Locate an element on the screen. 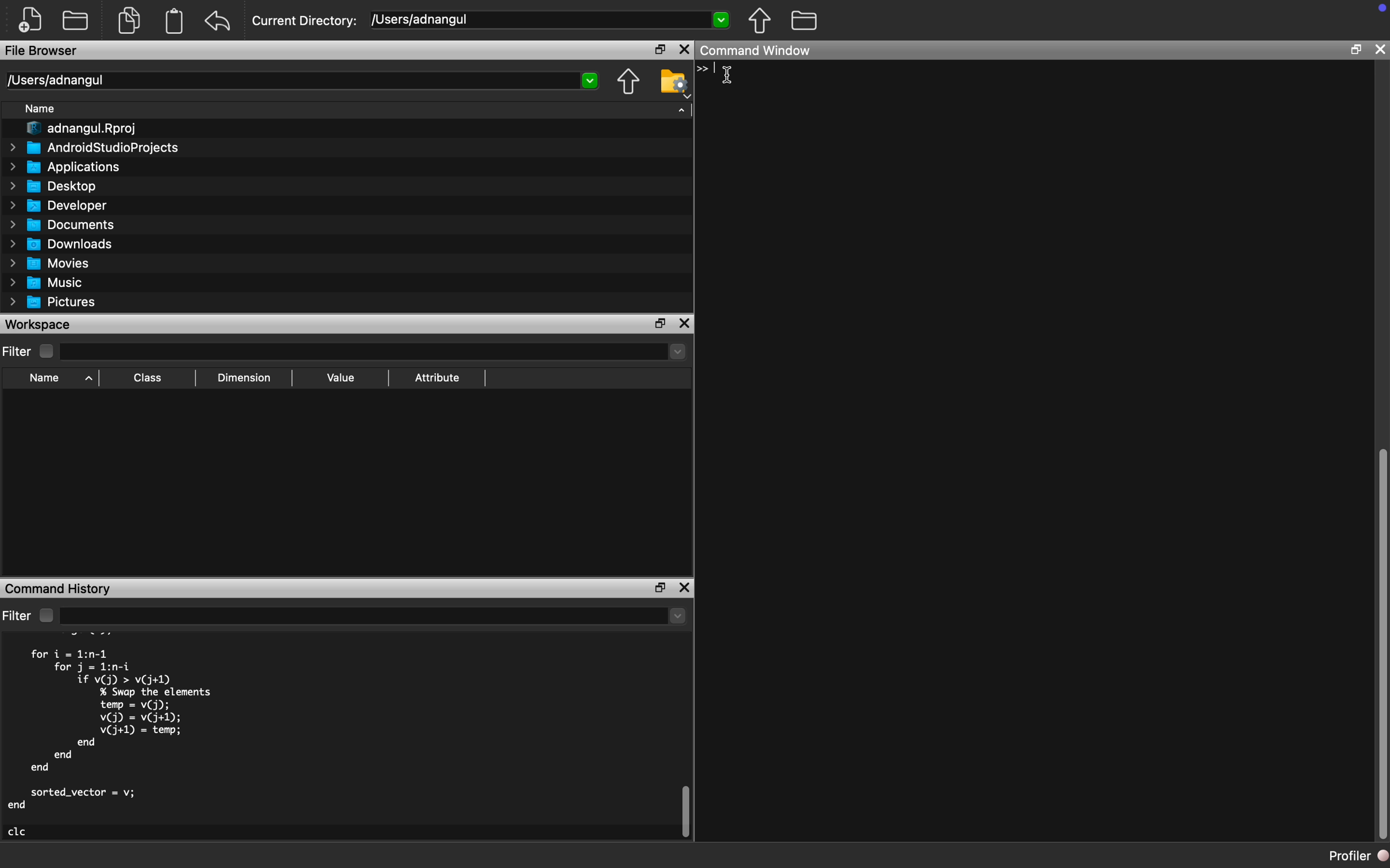  Clipboard is located at coordinates (173, 21).